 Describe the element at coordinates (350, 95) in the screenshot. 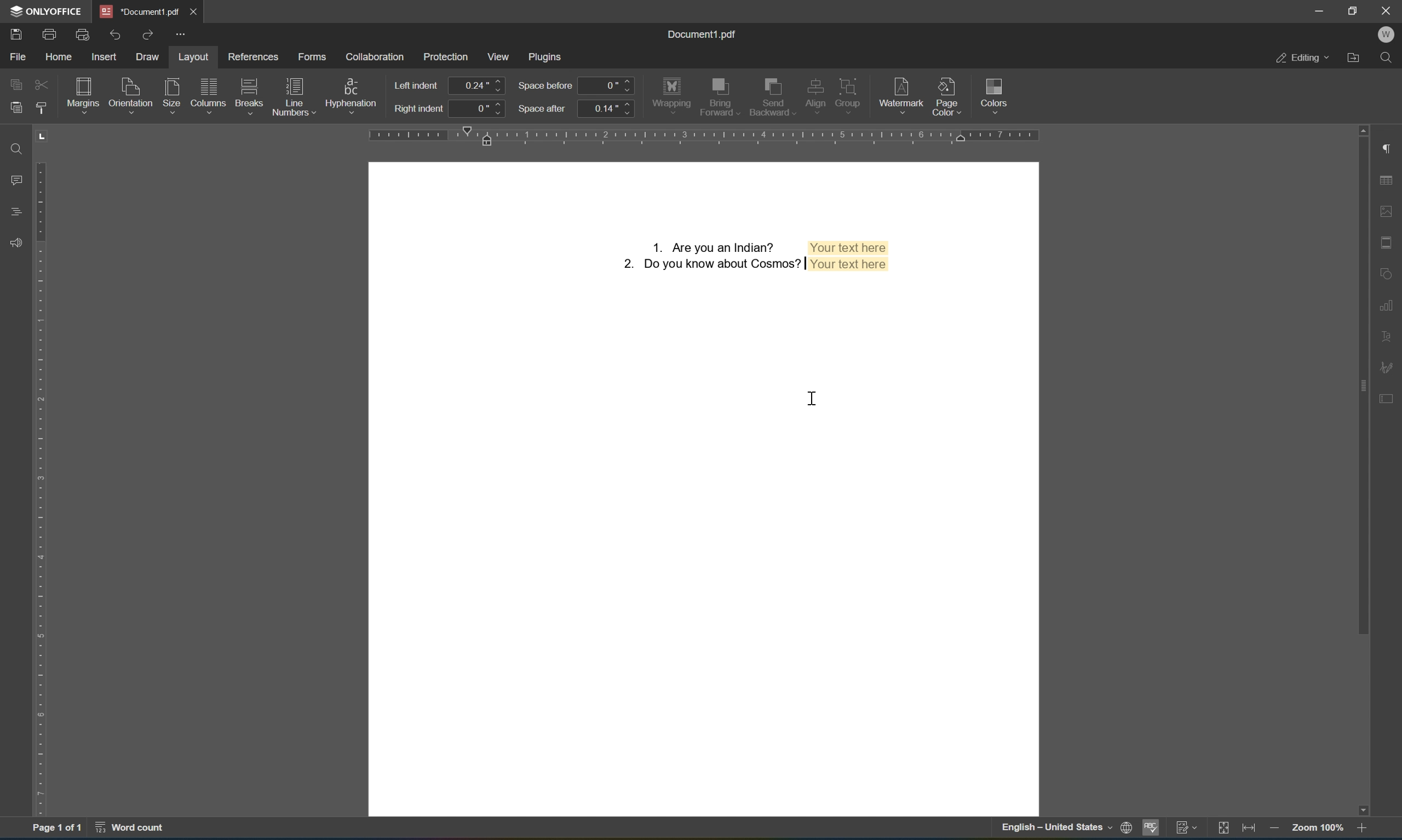

I see `hypernation` at that location.